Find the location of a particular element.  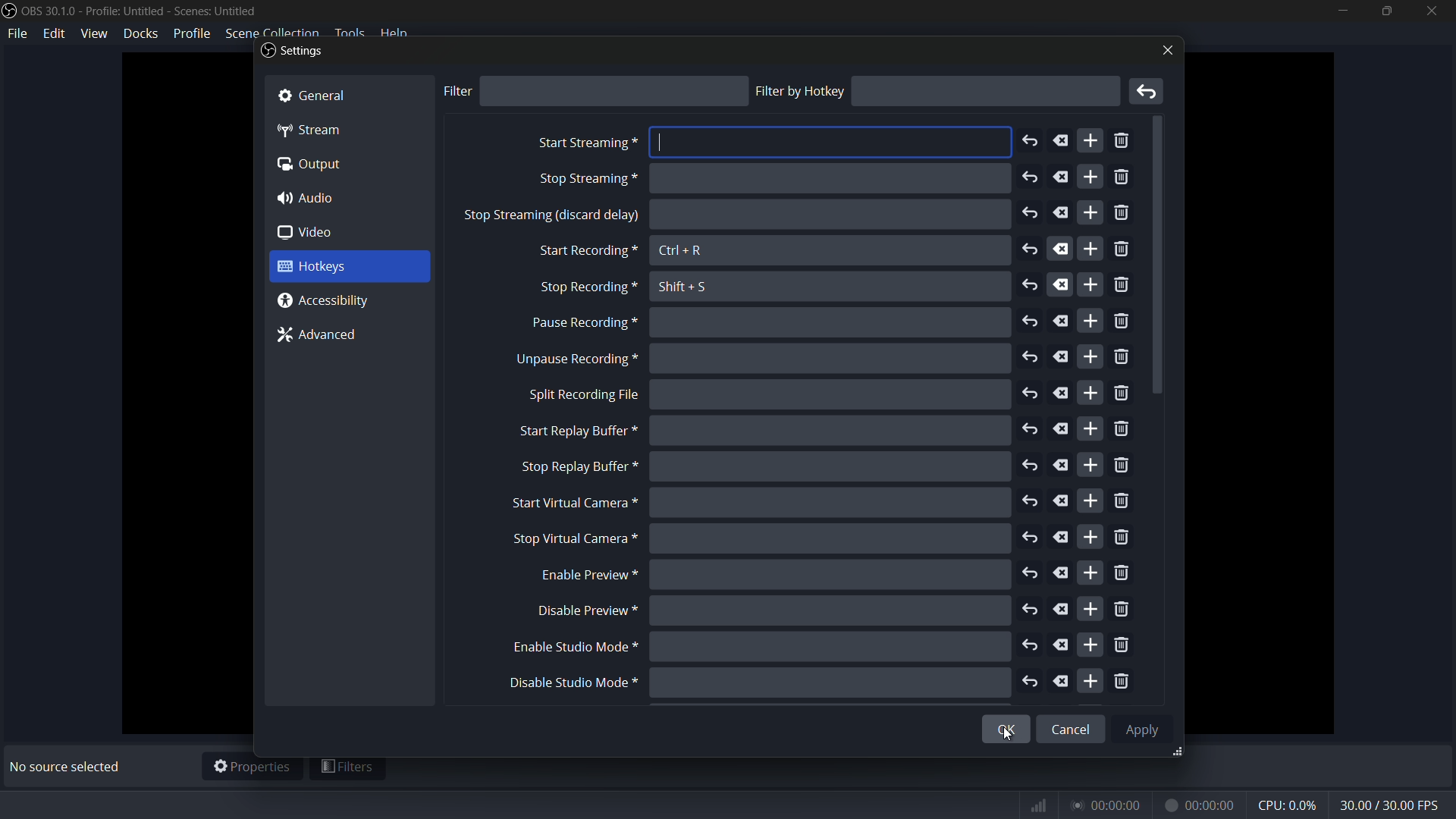

Shift + S is located at coordinates (682, 287).